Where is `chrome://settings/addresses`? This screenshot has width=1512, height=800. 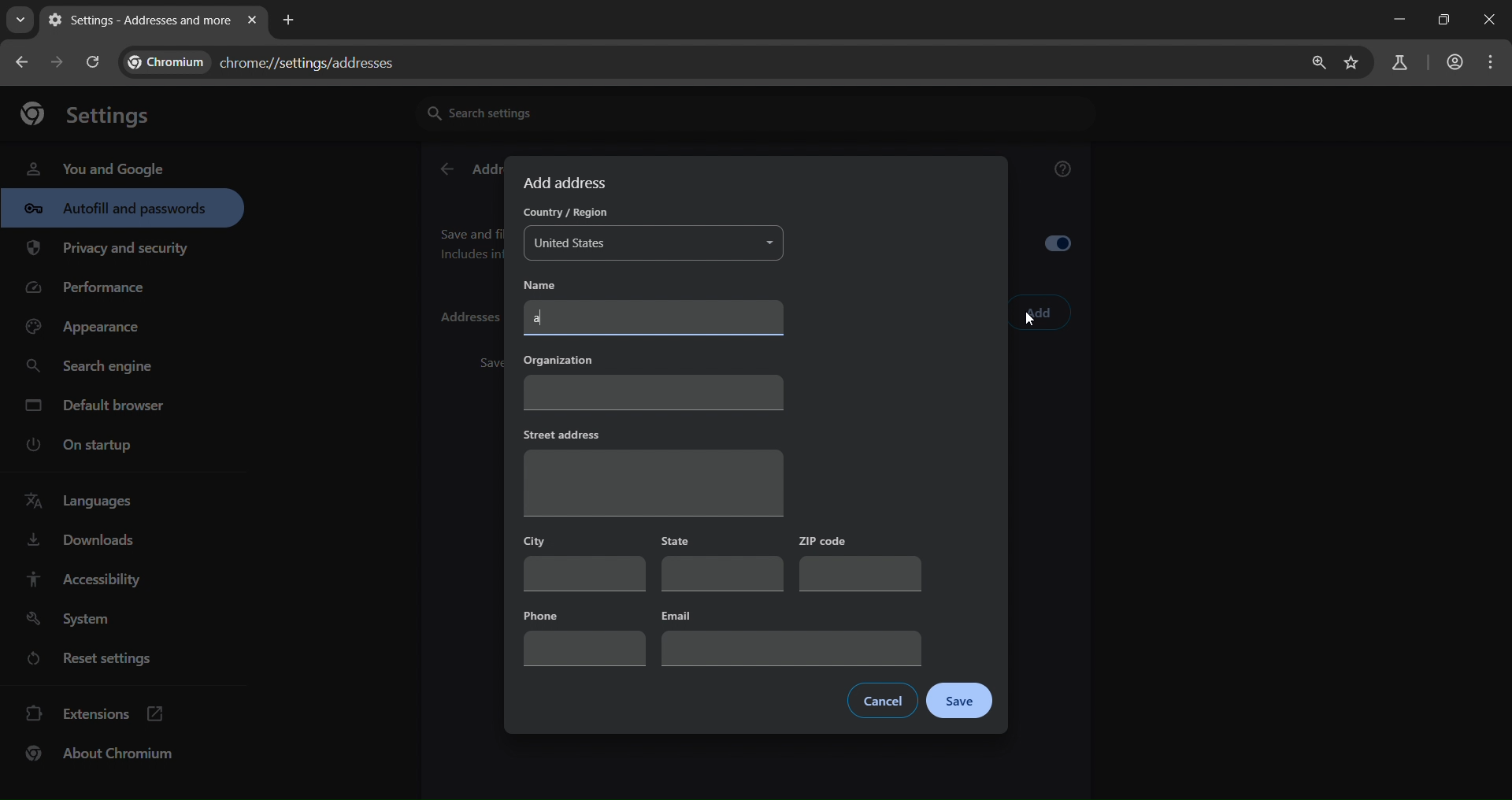
chrome://settings/addresses is located at coordinates (272, 59).